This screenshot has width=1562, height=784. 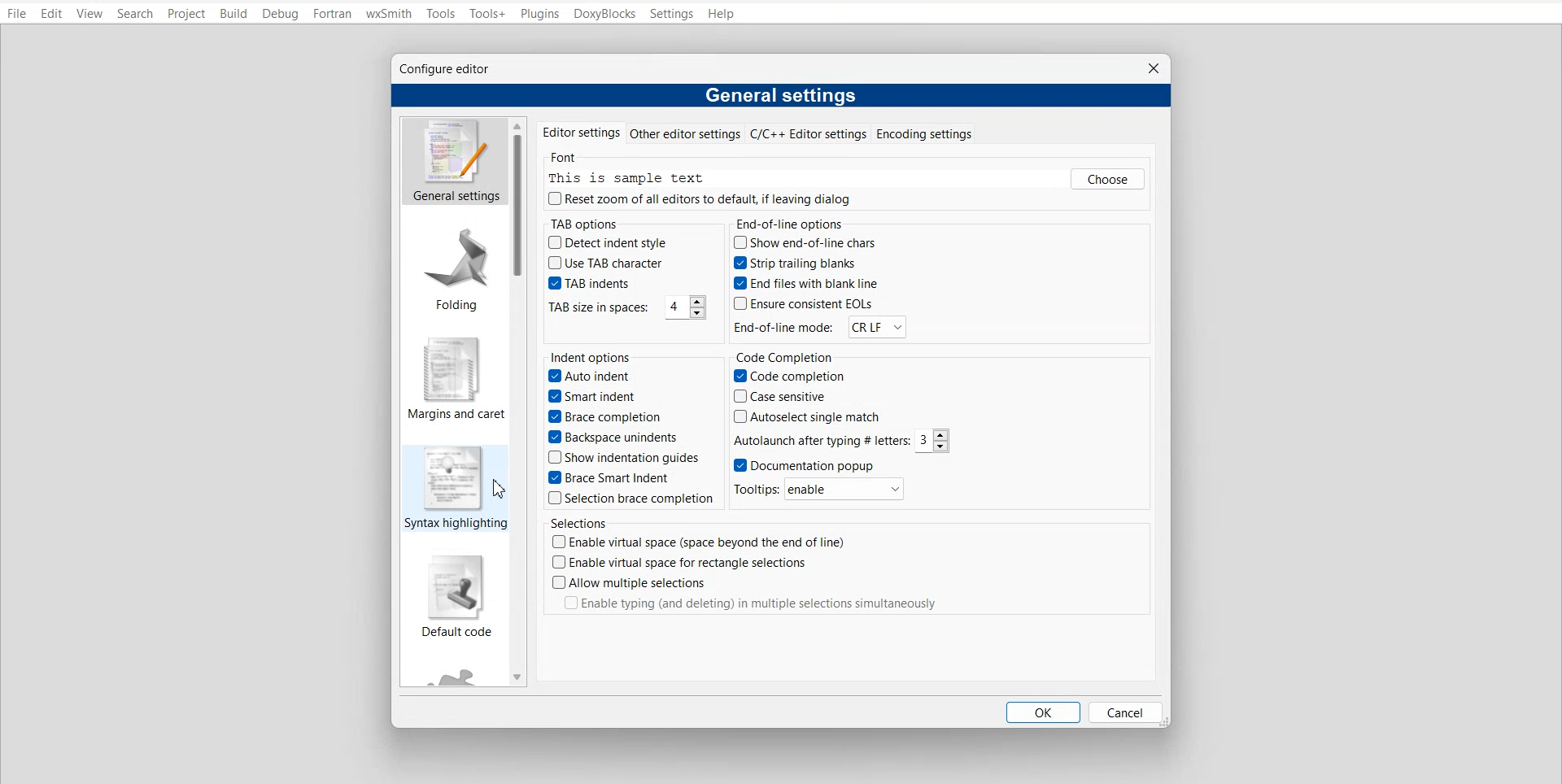 What do you see at coordinates (809, 284) in the screenshot?
I see `End files with blank line` at bounding box center [809, 284].